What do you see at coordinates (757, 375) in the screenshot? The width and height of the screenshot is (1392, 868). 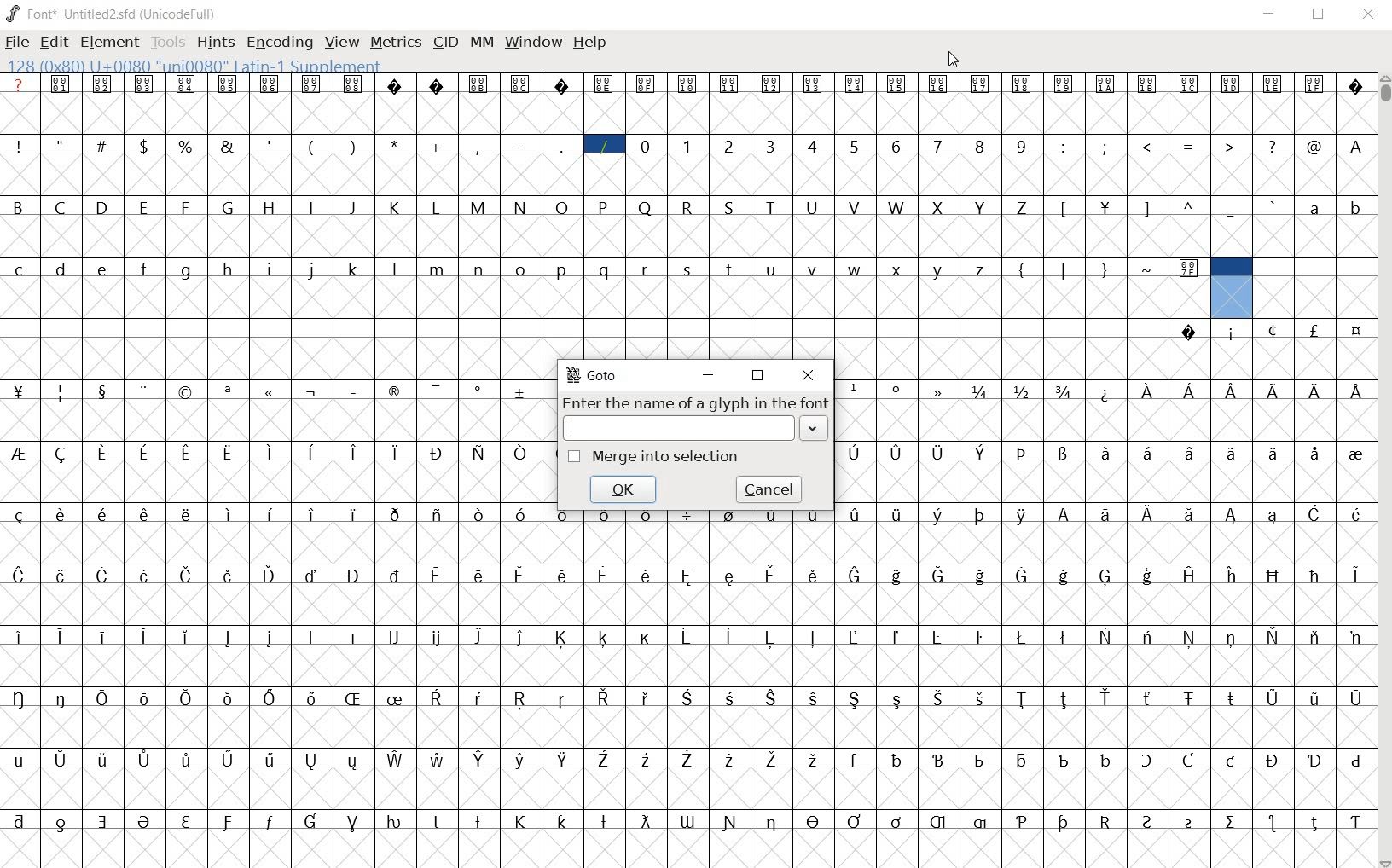 I see `Maximize` at bounding box center [757, 375].